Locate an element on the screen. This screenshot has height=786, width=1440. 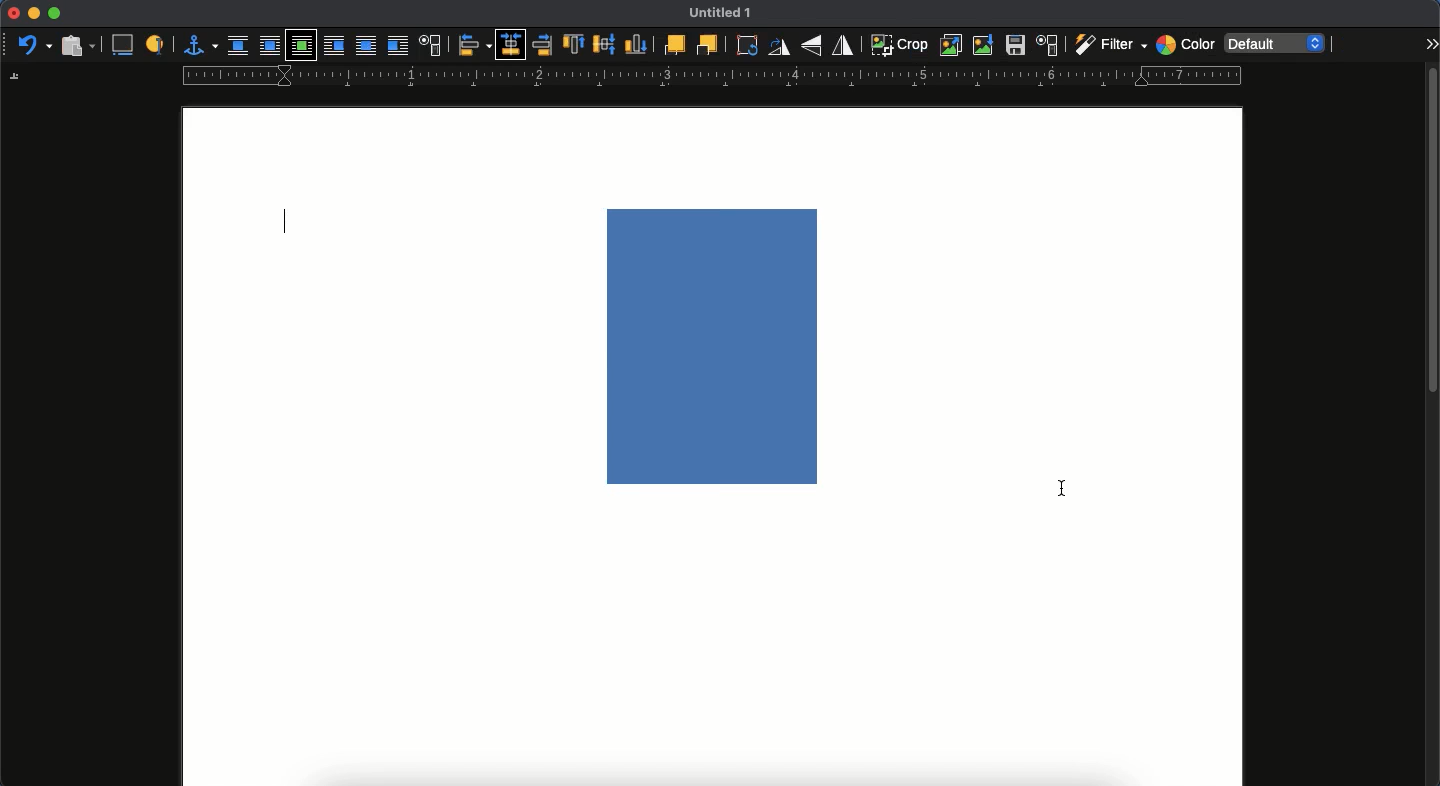
rotate is located at coordinates (747, 46).